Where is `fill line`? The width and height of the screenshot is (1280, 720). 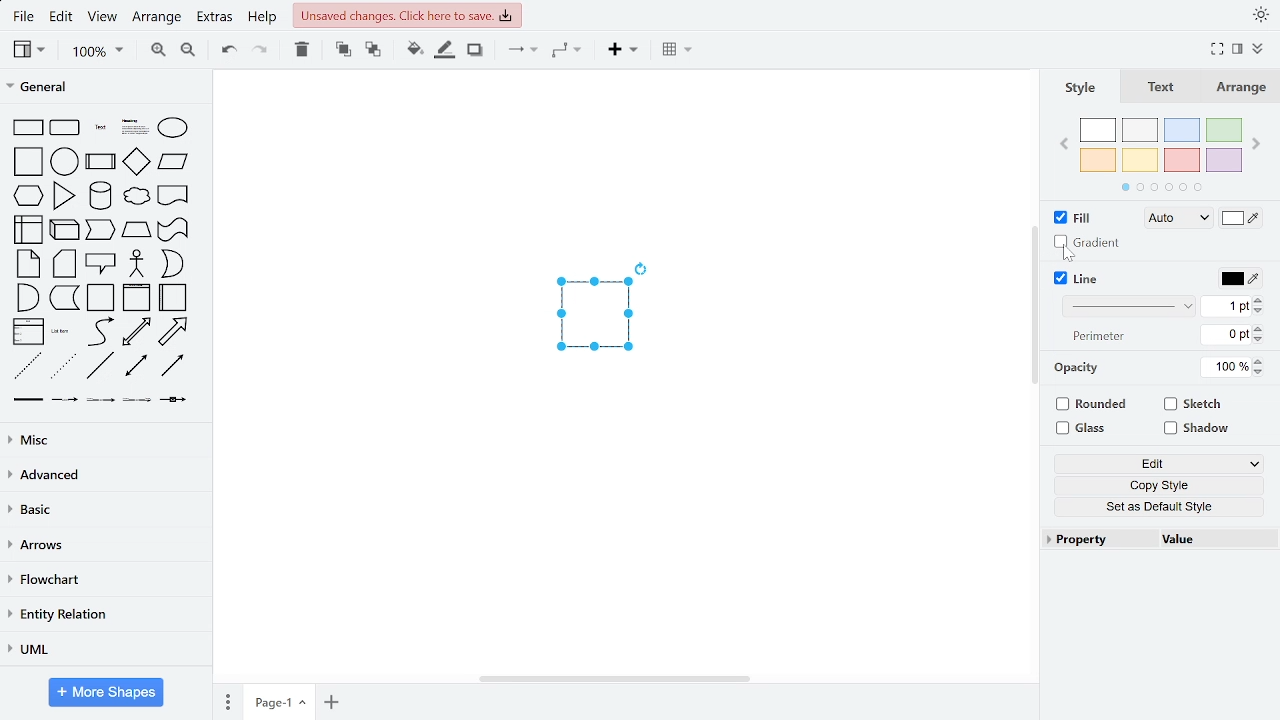
fill line is located at coordinates (444, 51).